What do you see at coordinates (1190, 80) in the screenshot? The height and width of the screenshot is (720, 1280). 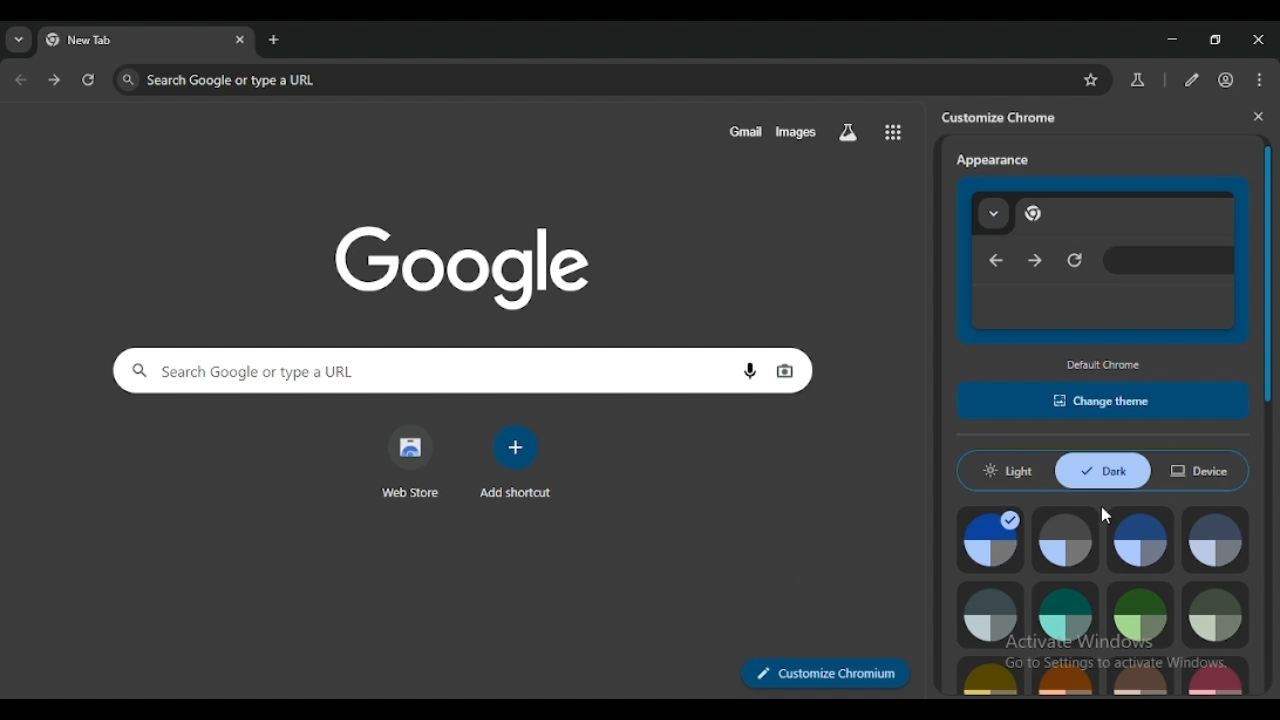 I see `edit` at bounding box center [1190, 80].